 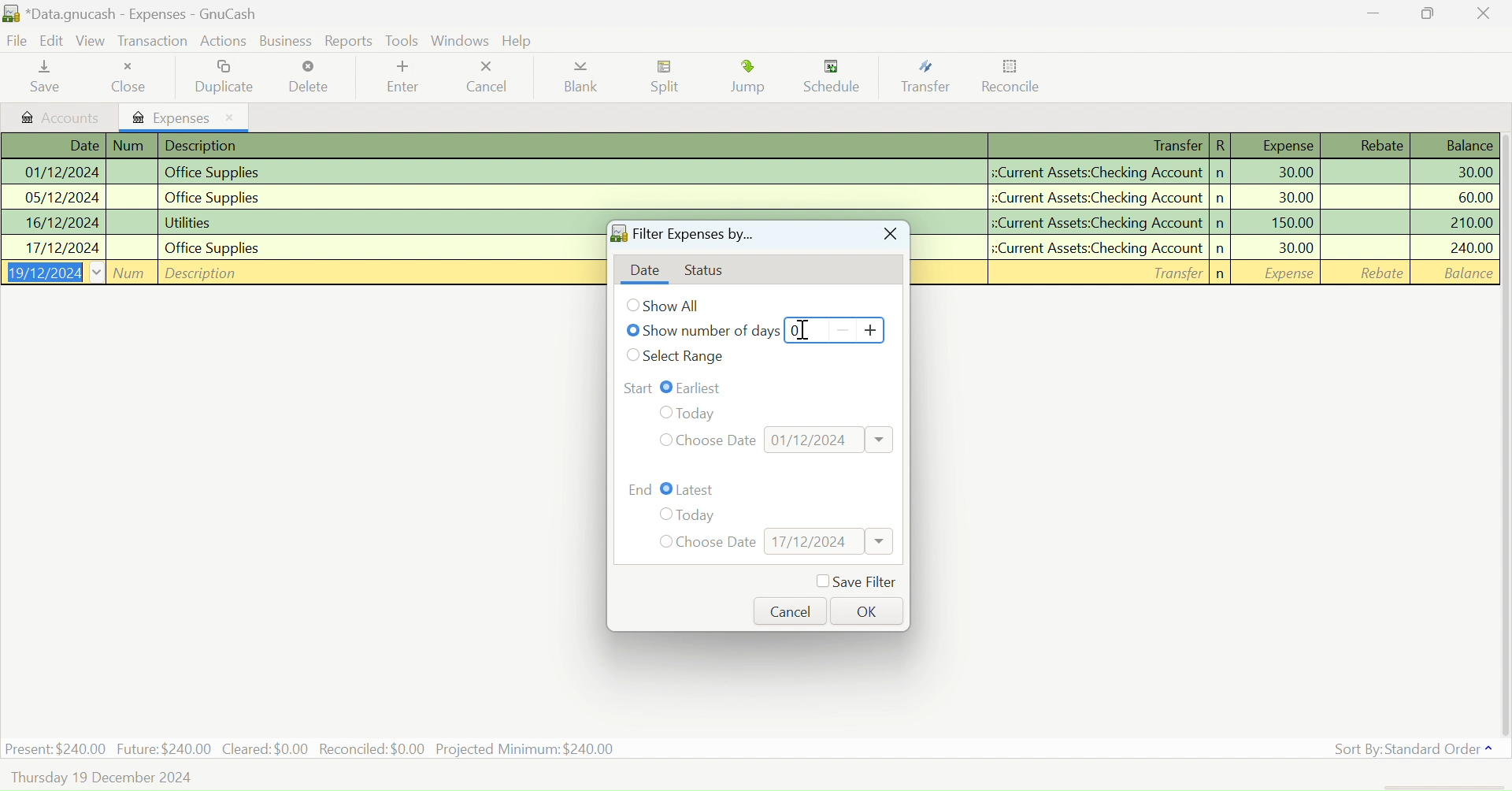 What do you see at coordinates (669, 79) in the screenshot?
I see `Split` at bounding box center [669, 79].